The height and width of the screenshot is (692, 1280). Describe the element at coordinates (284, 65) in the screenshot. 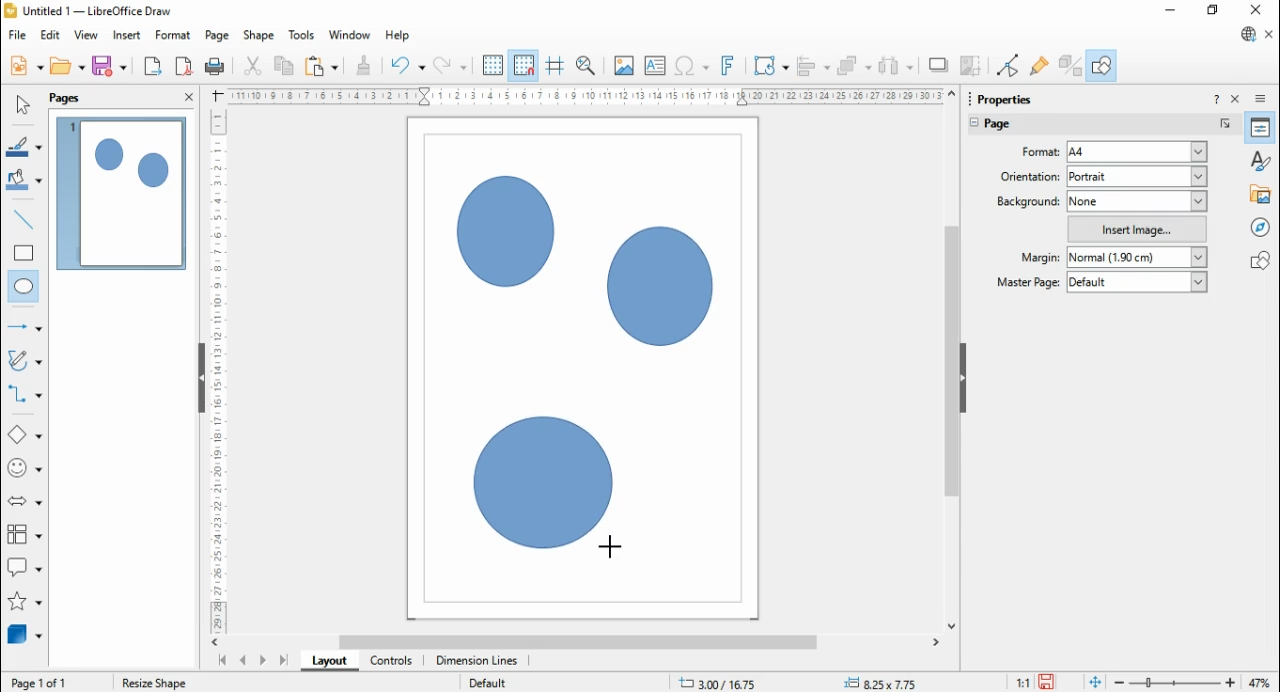

I see `copy` at that location.